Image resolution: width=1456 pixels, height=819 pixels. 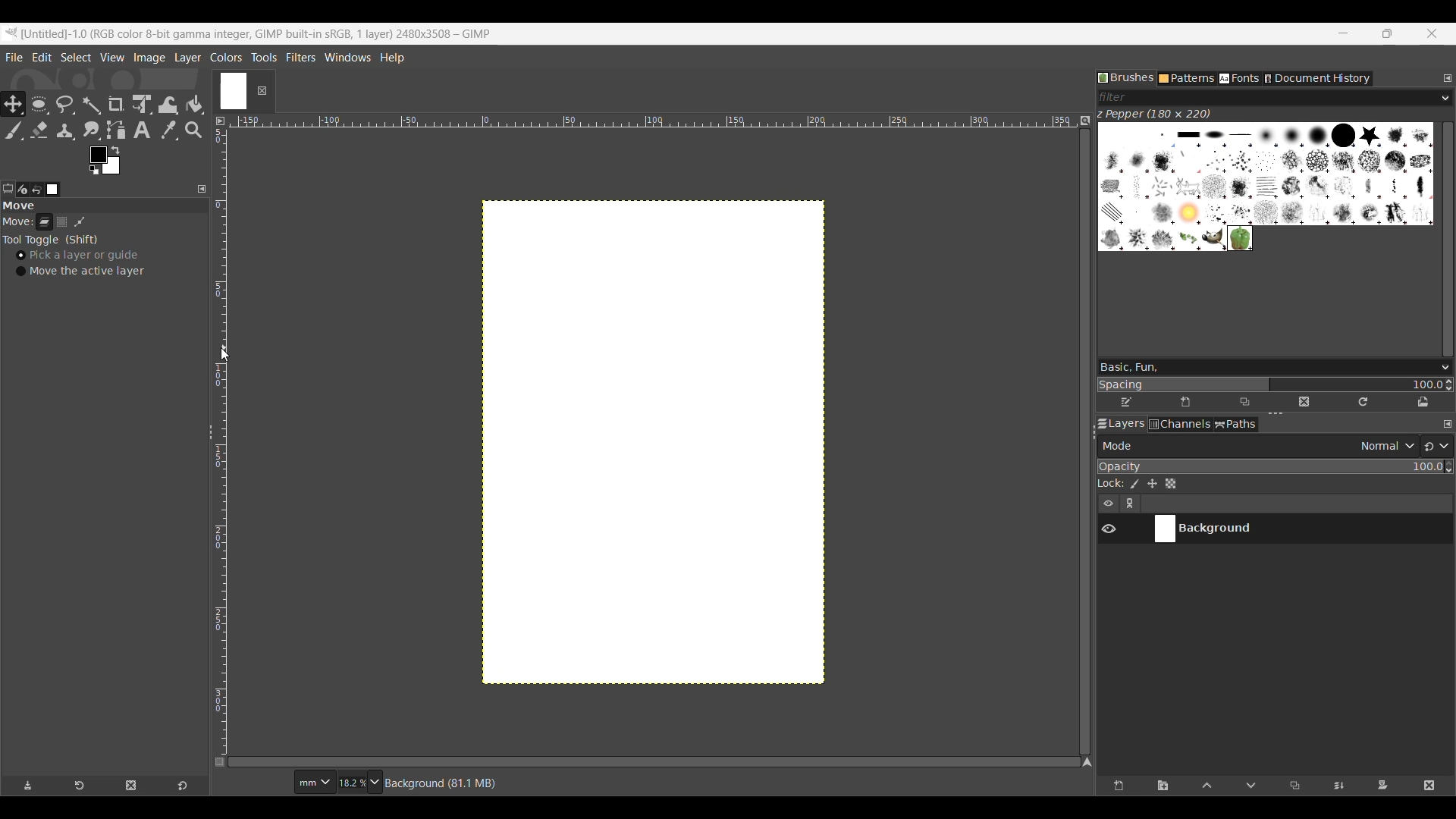 I want to click on Indicates move tools, so click(x=17, y=221).